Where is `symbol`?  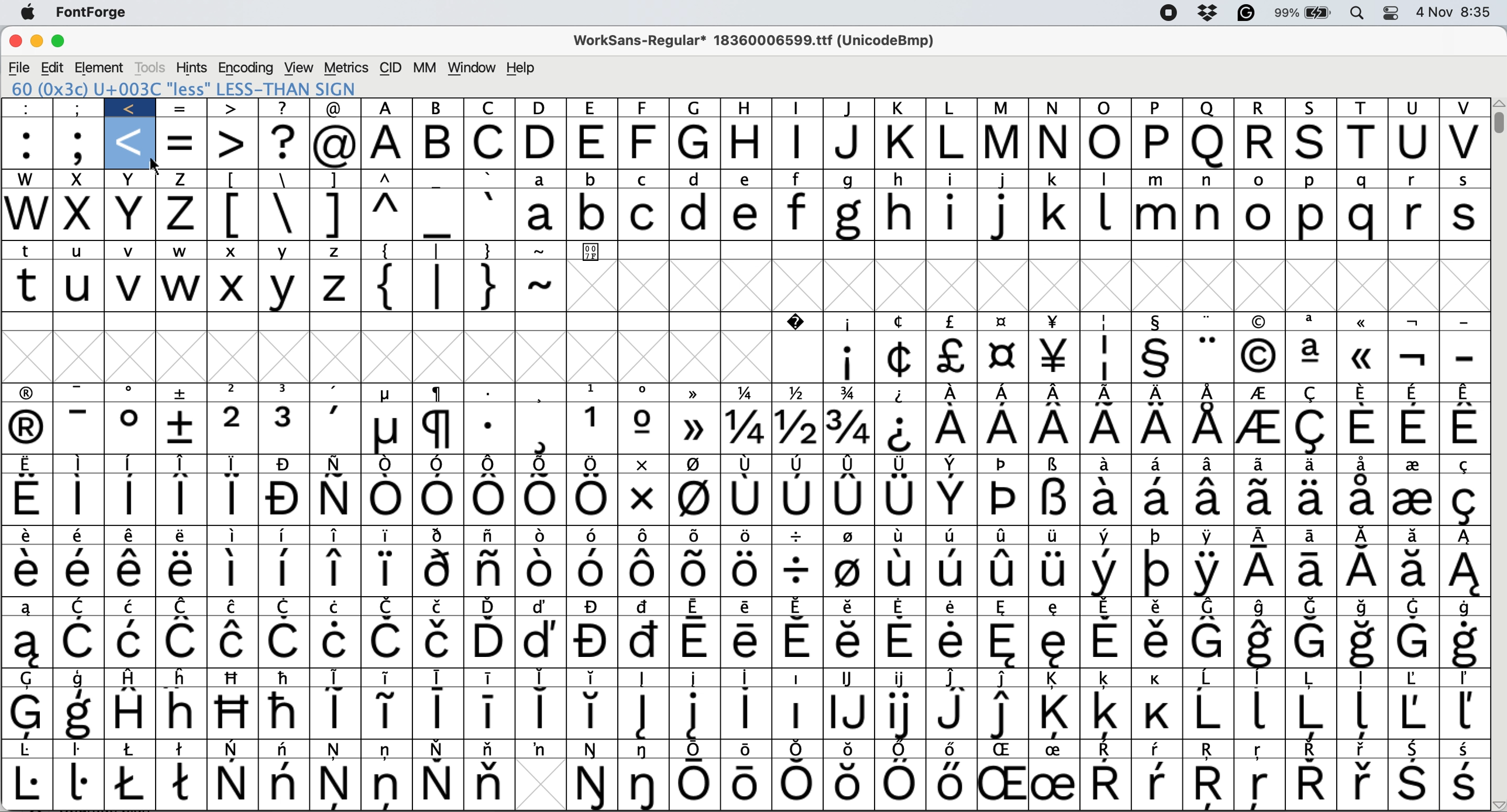
symbol is located at coordinates (797, 641).